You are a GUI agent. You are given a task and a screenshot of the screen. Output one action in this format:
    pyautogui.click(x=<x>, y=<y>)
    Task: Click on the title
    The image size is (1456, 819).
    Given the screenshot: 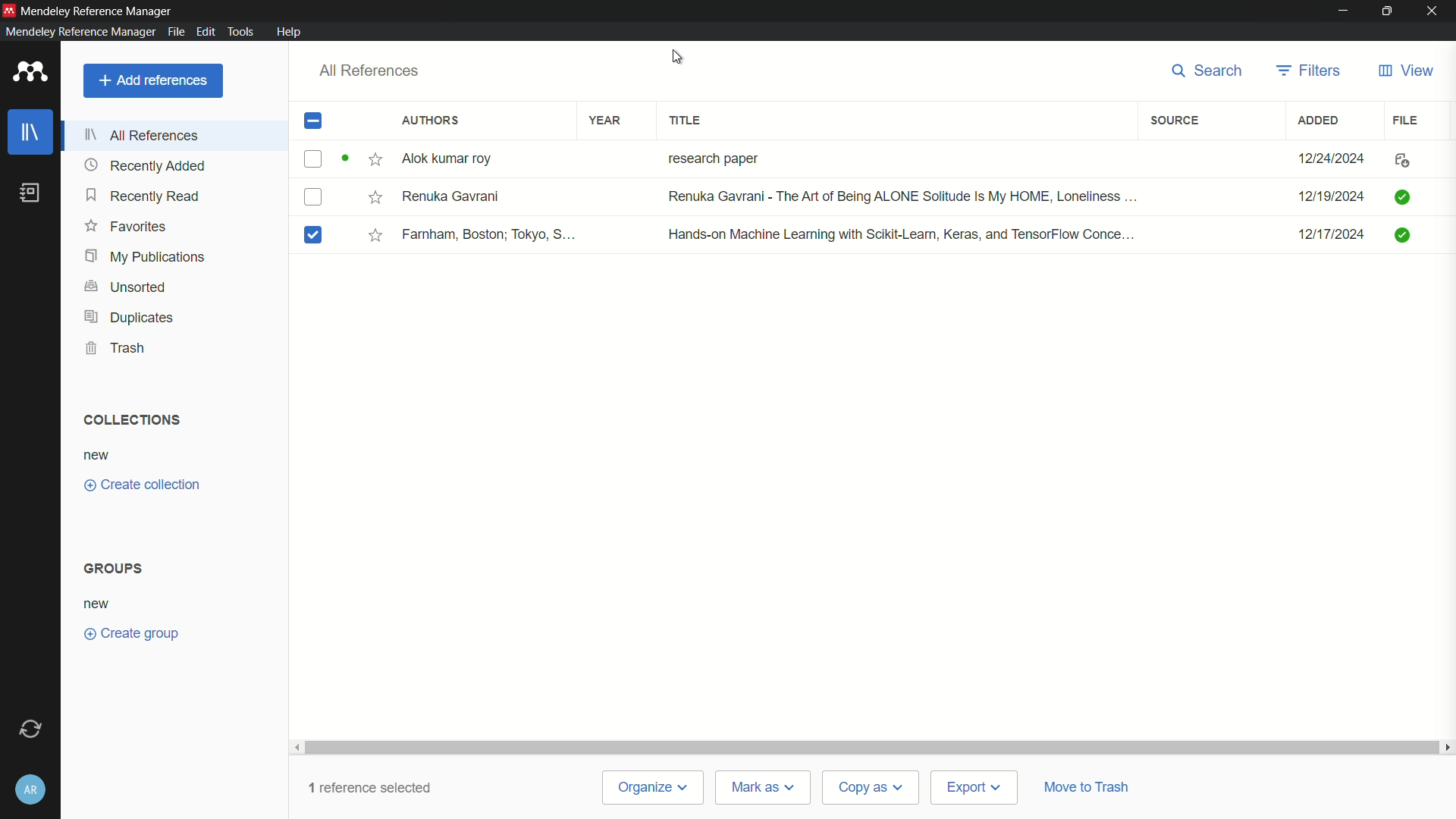 What is the action you would take?
    pyautogui.click(x=689, y=121)
    